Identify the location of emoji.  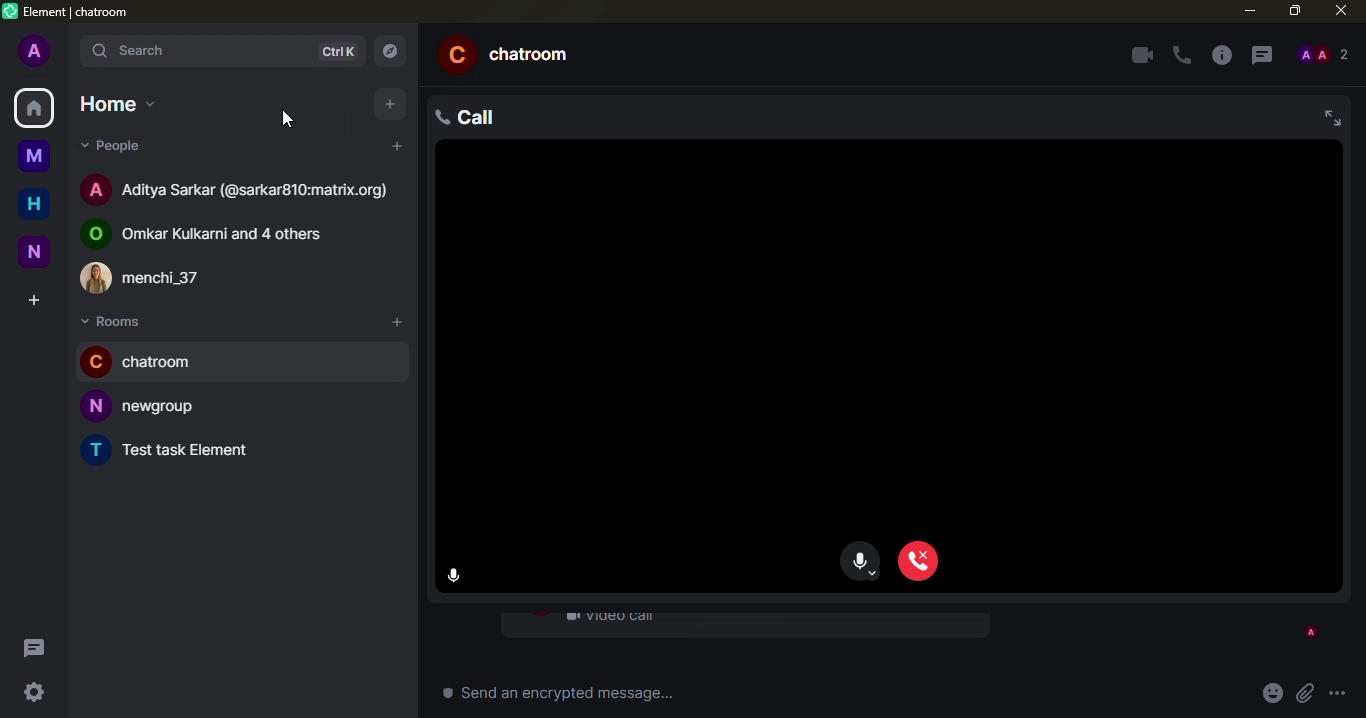
(1270, 694).